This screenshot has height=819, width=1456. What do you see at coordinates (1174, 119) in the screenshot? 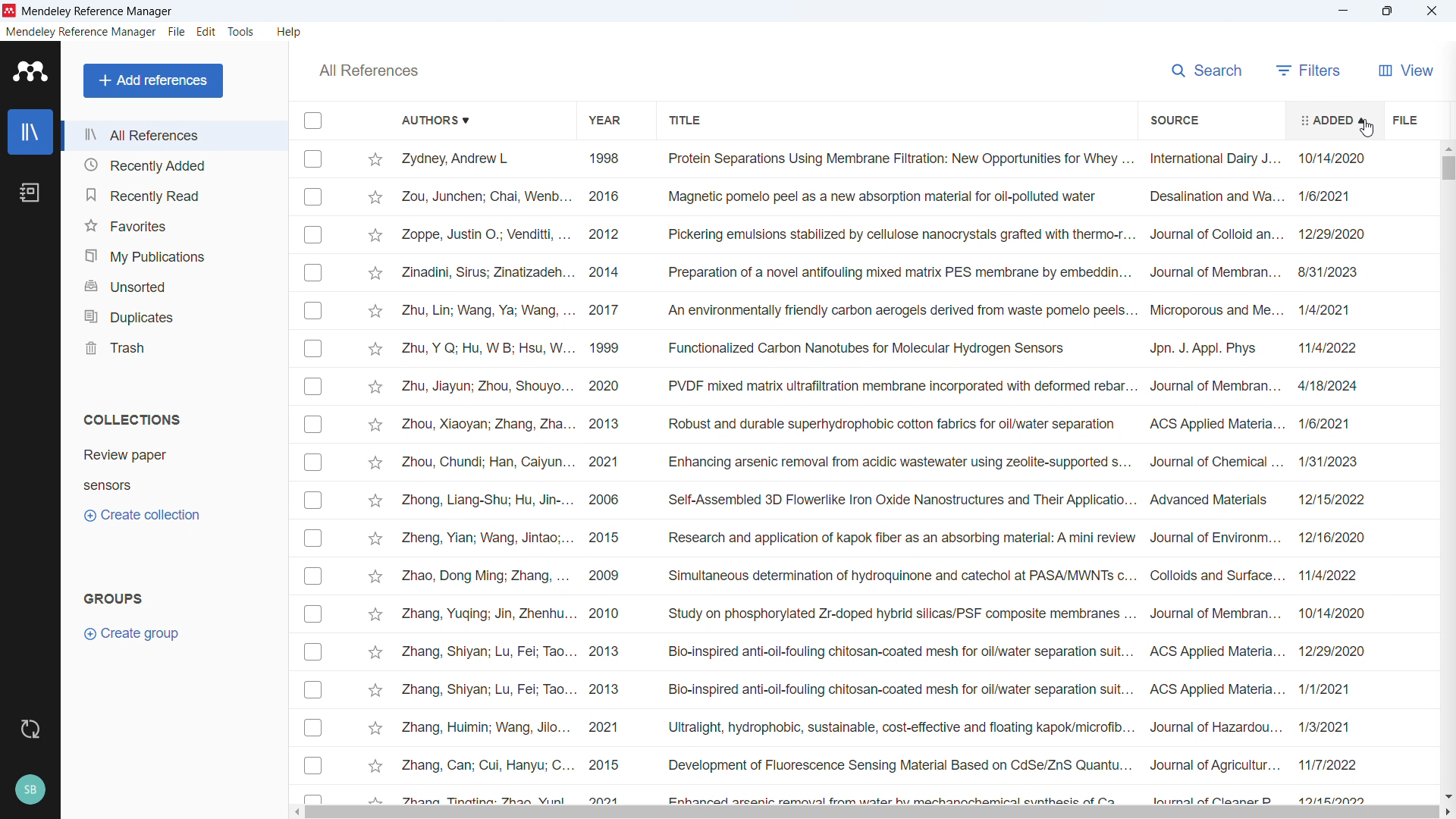
I see `Sort by source ` at bounding box center [1174, 119].